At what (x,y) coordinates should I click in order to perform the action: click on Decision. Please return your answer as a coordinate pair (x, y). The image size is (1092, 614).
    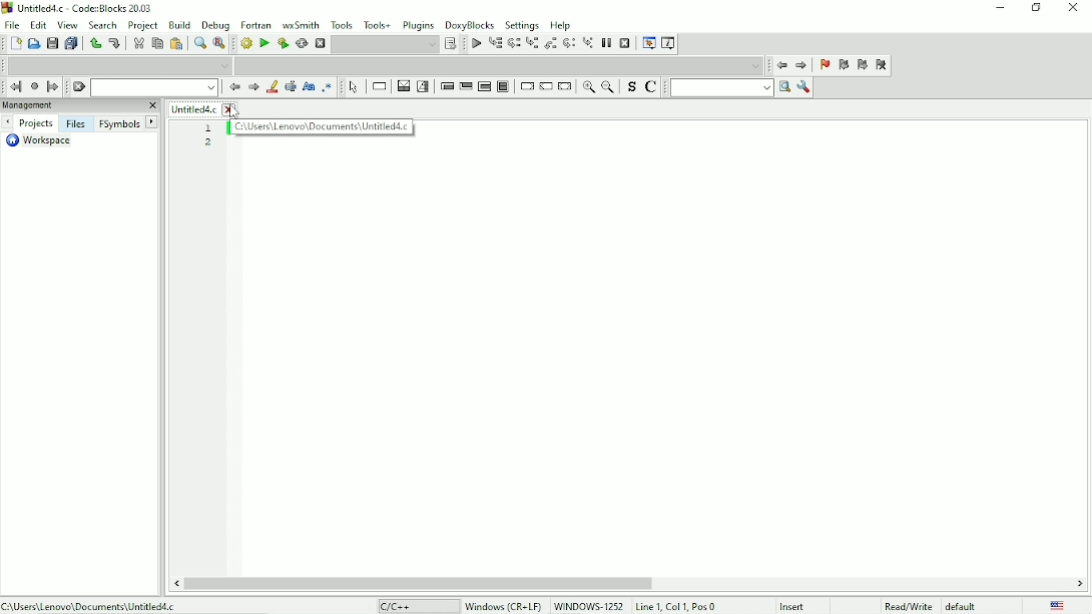
    Looking at the image, I should click on (403, 87).